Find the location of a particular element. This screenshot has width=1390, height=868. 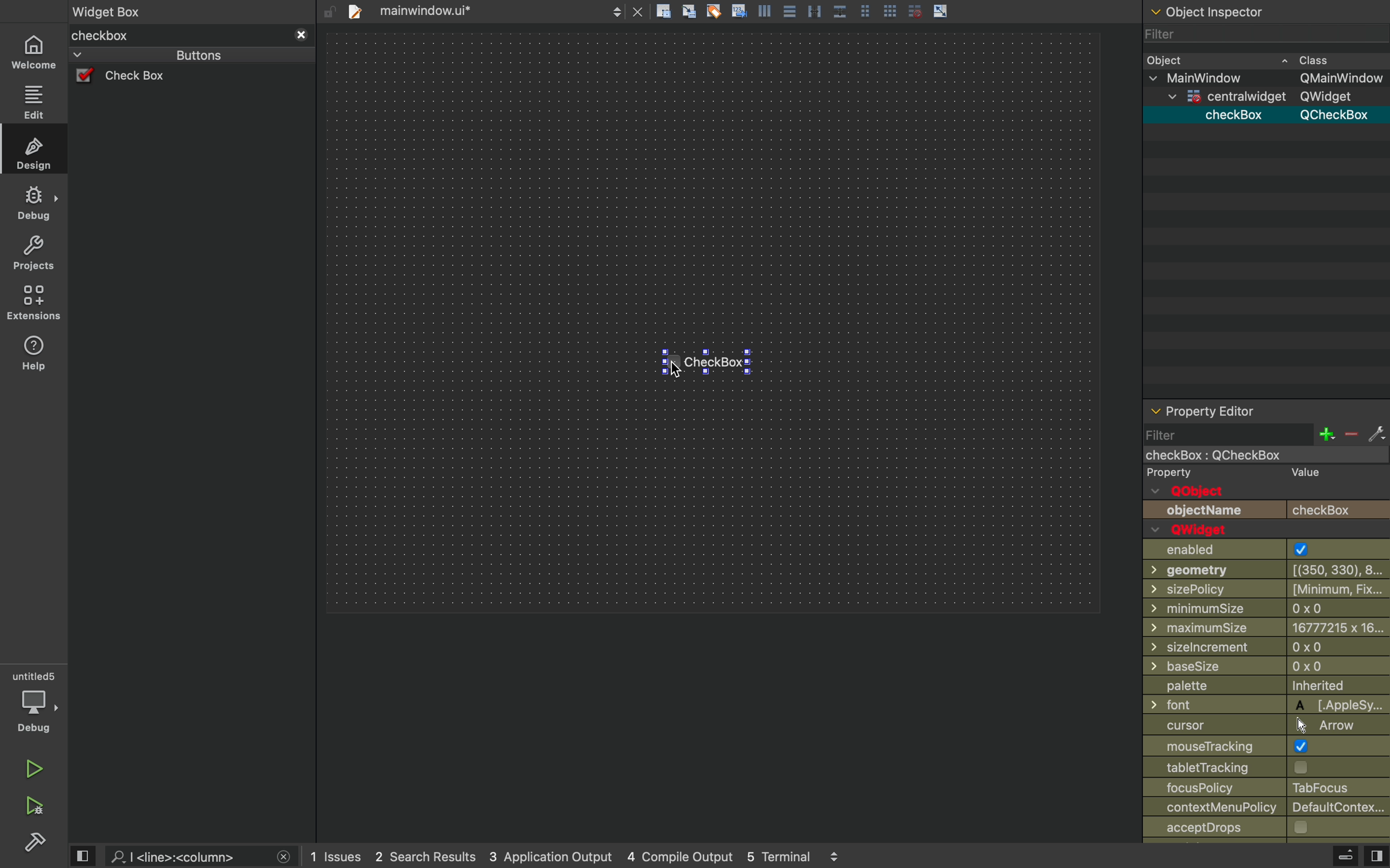

widget box is located at coordinates (177, 36).